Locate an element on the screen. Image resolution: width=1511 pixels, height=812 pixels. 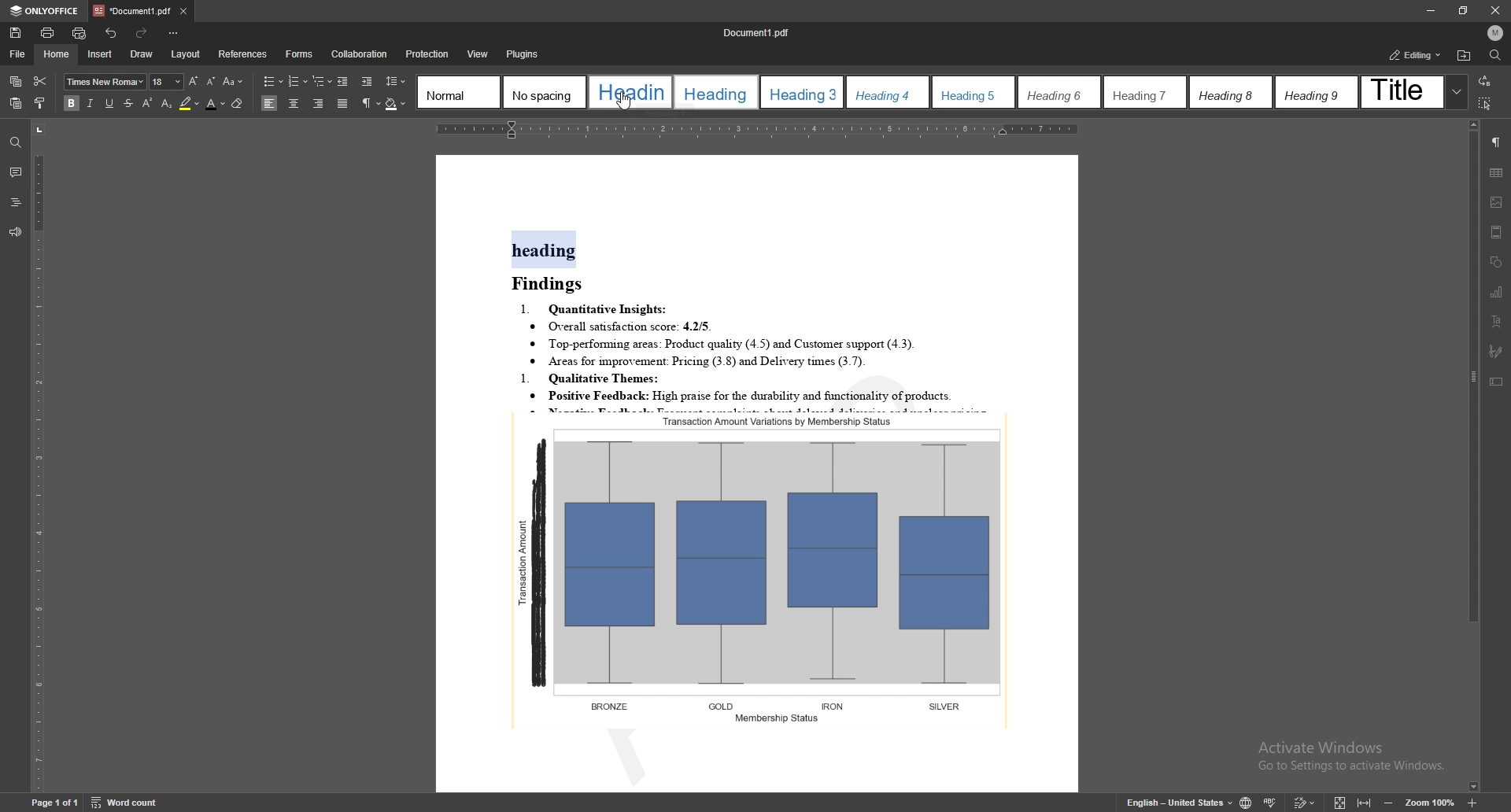
graph is located at coordinates (763, 569).